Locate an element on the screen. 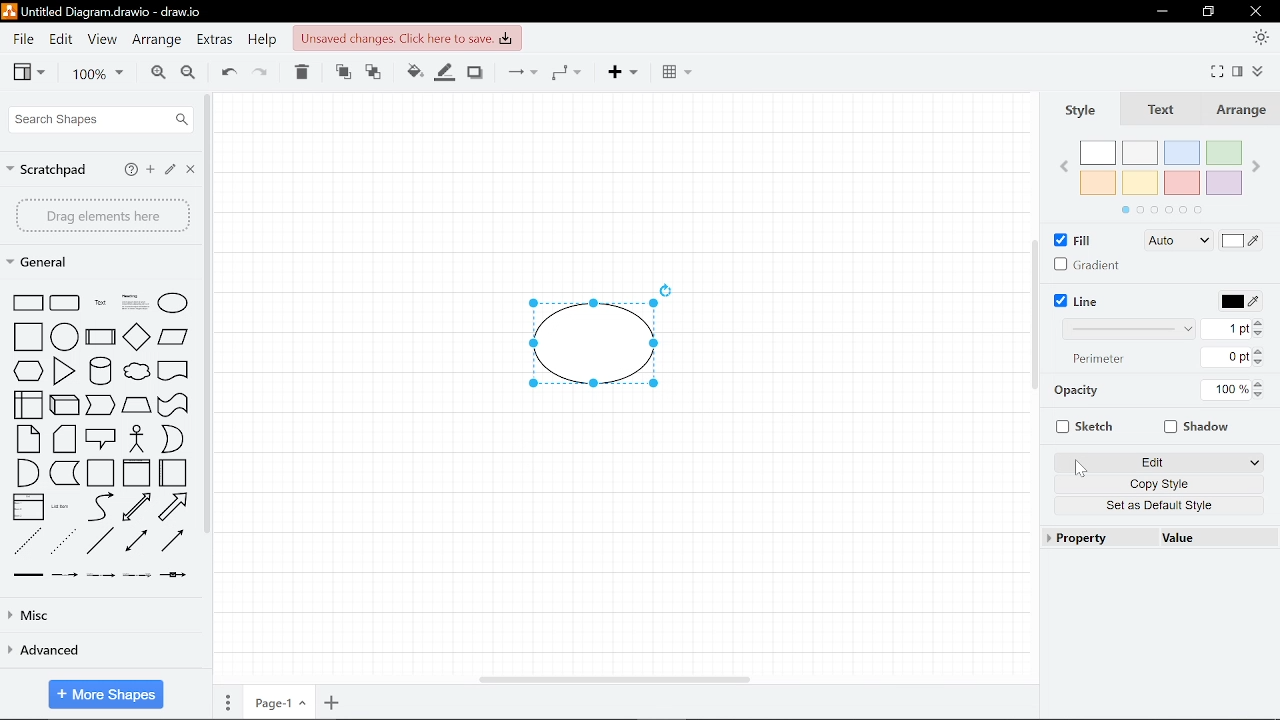 Image resolution: width=1280 pixels, height=720 pixels. Minimize is located at coordinates (1161, 12).